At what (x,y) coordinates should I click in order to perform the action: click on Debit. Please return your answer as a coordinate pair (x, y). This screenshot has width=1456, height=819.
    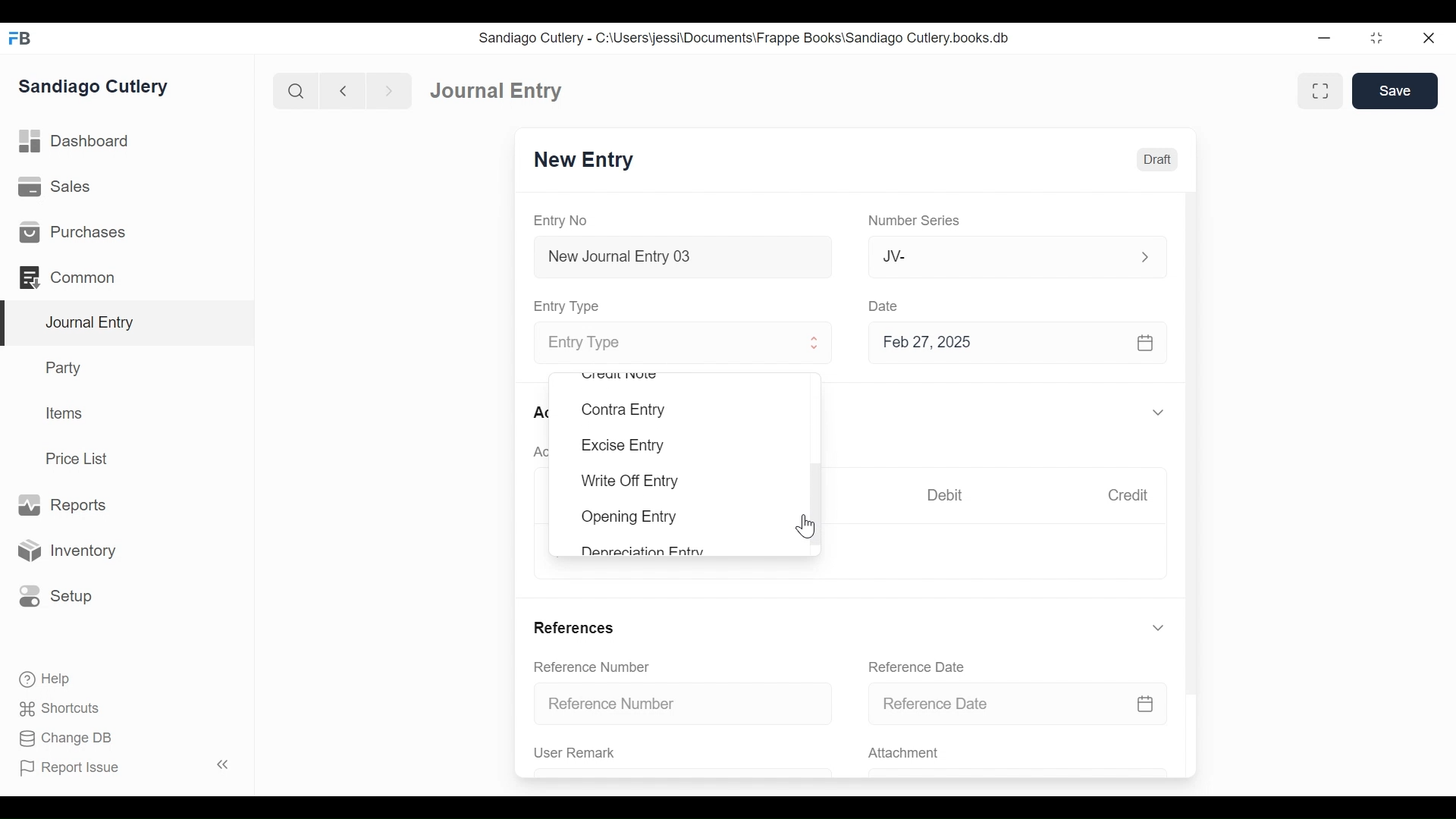
    Looking at the image, I should click on (946, 494).